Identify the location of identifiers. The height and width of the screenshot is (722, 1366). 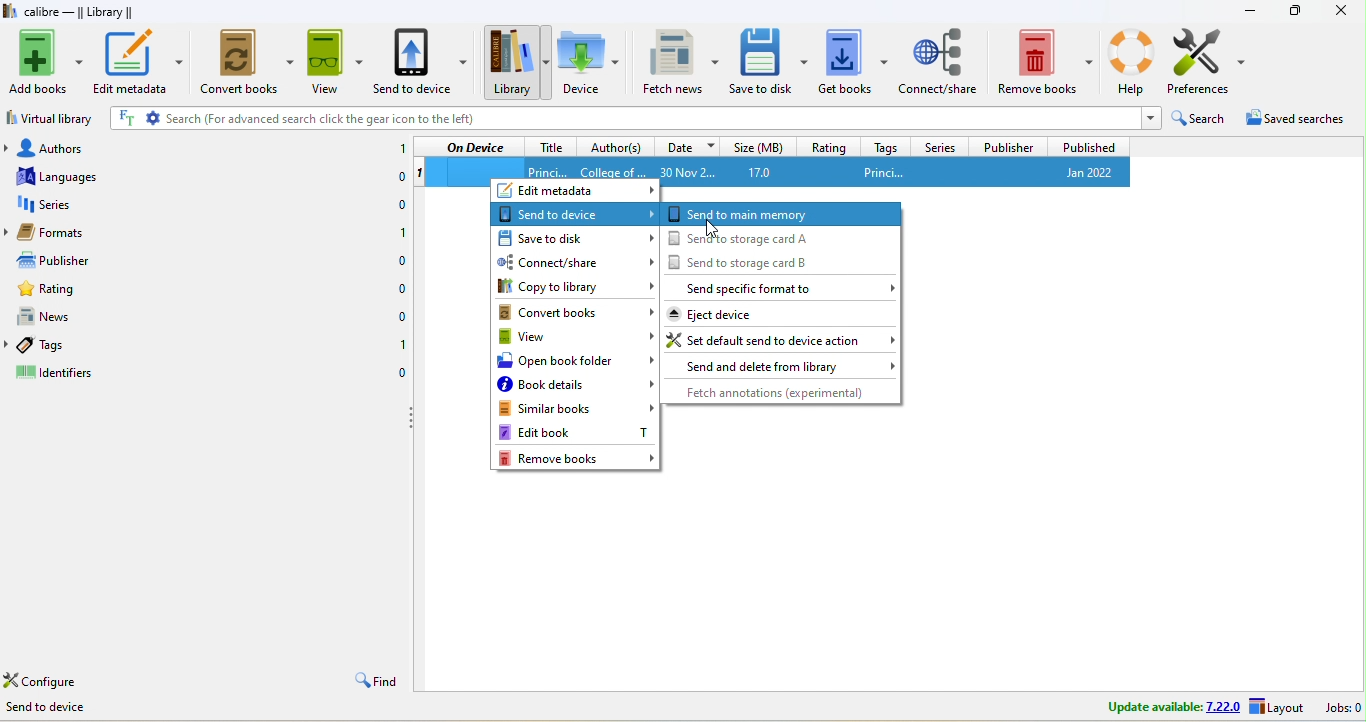
(69, 372).